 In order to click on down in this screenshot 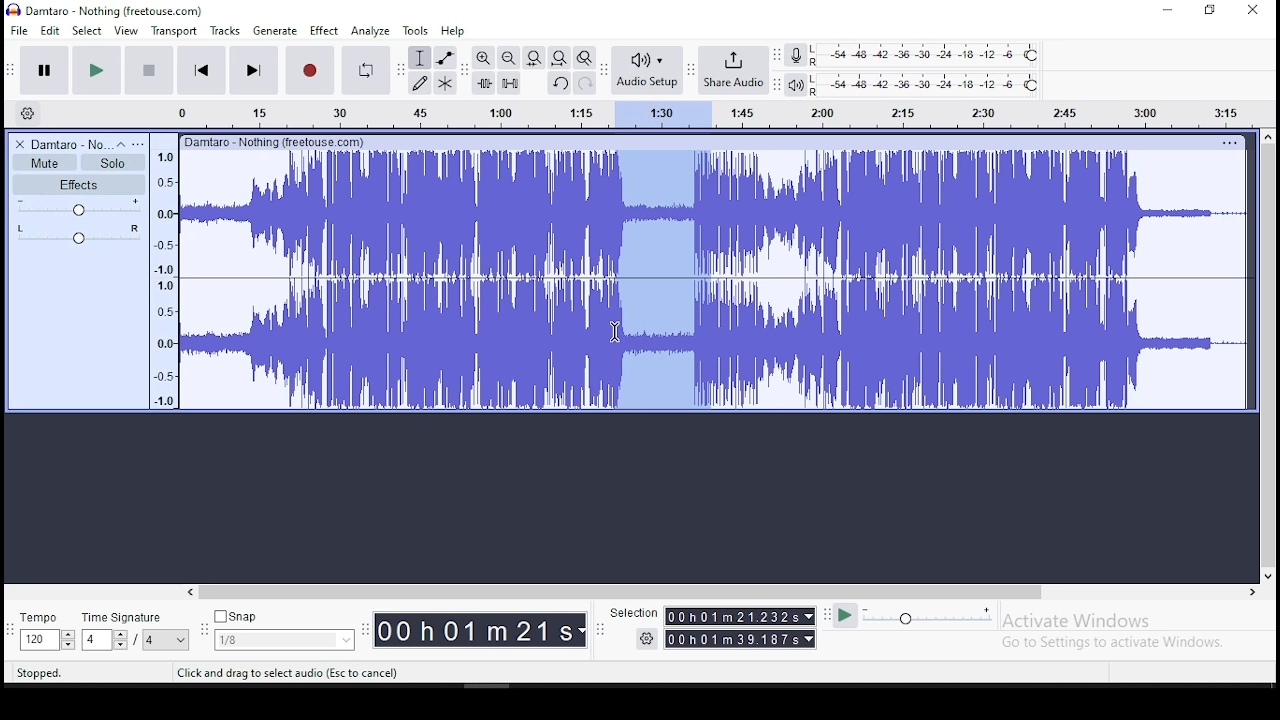, I will do `click(1267, 573)`.